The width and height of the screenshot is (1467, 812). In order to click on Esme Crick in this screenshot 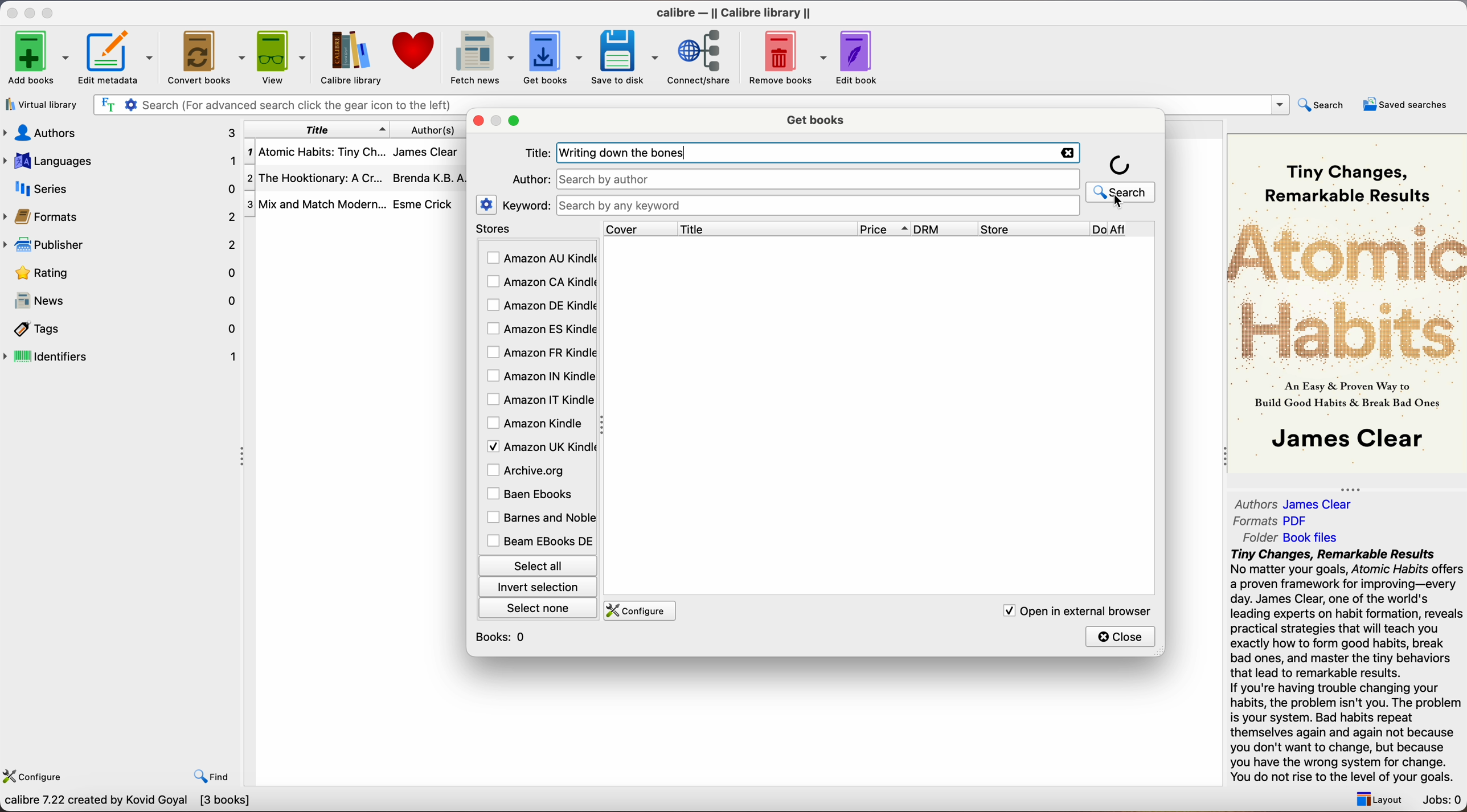, I will do `click(423, 204)`.